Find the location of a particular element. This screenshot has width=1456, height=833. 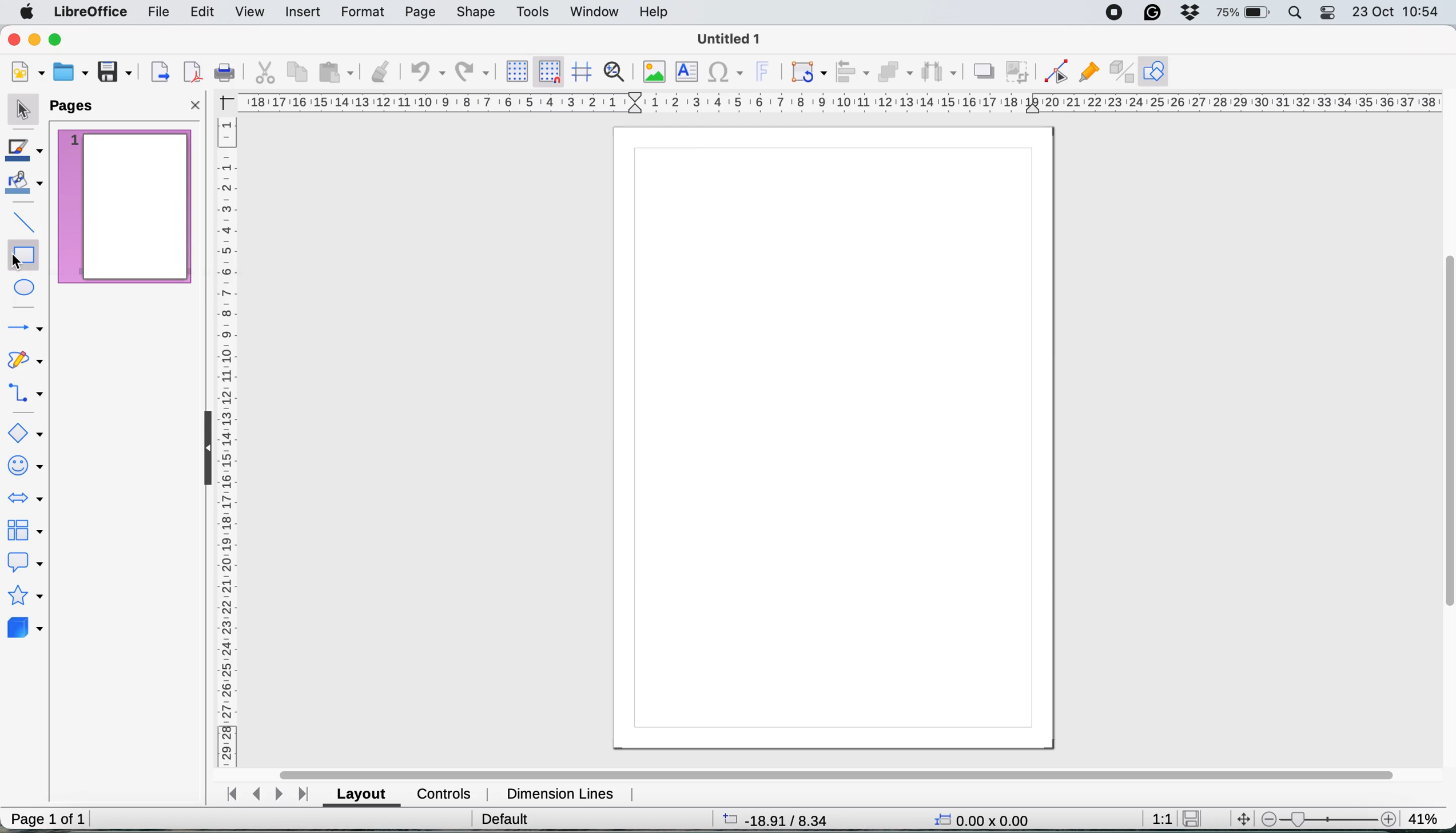

file is located at coordinates (156, 13).